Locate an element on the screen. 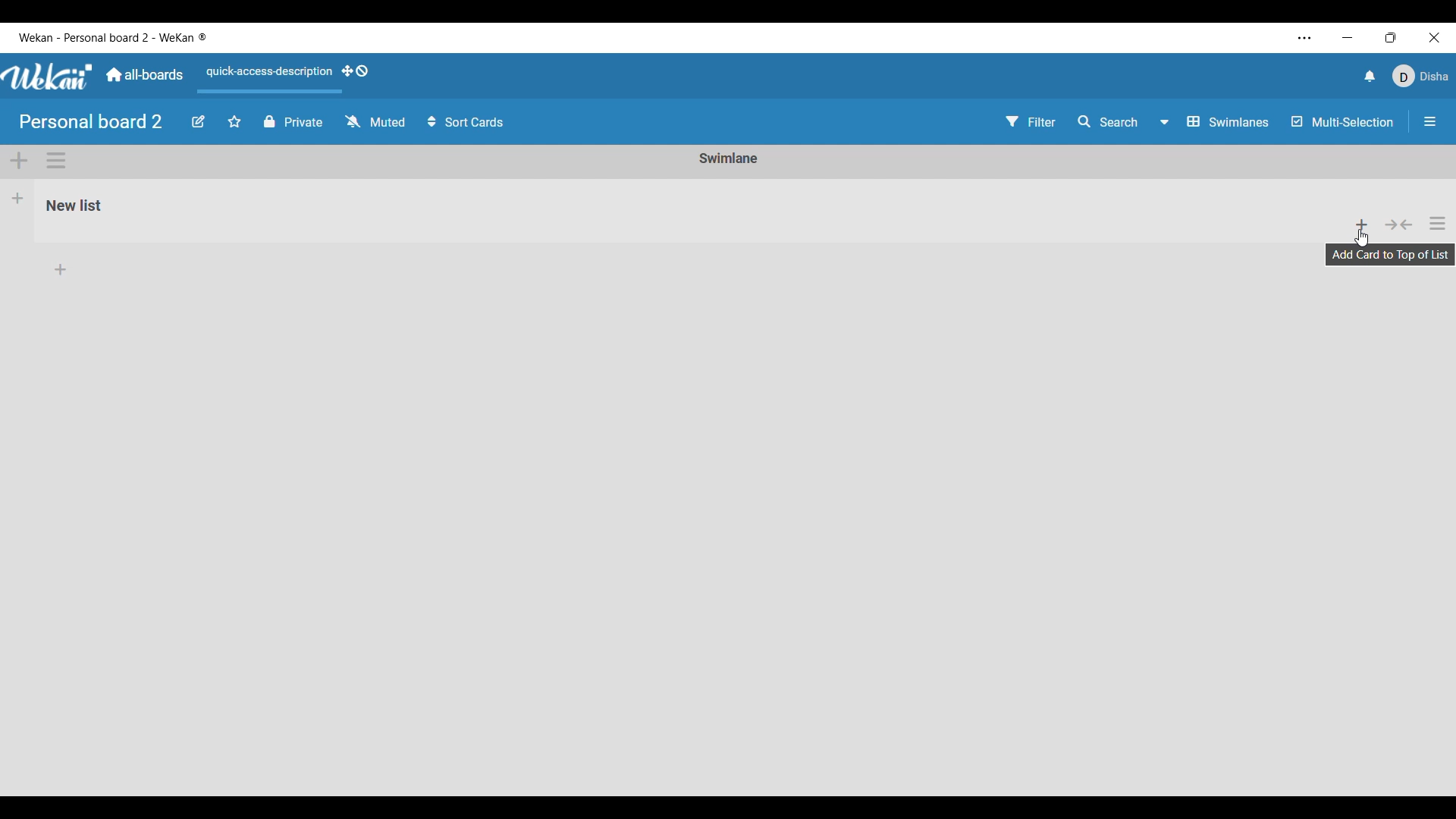 This screenshot has height=819, width=1456. Notifications  is located at coordinates (1370, 76).